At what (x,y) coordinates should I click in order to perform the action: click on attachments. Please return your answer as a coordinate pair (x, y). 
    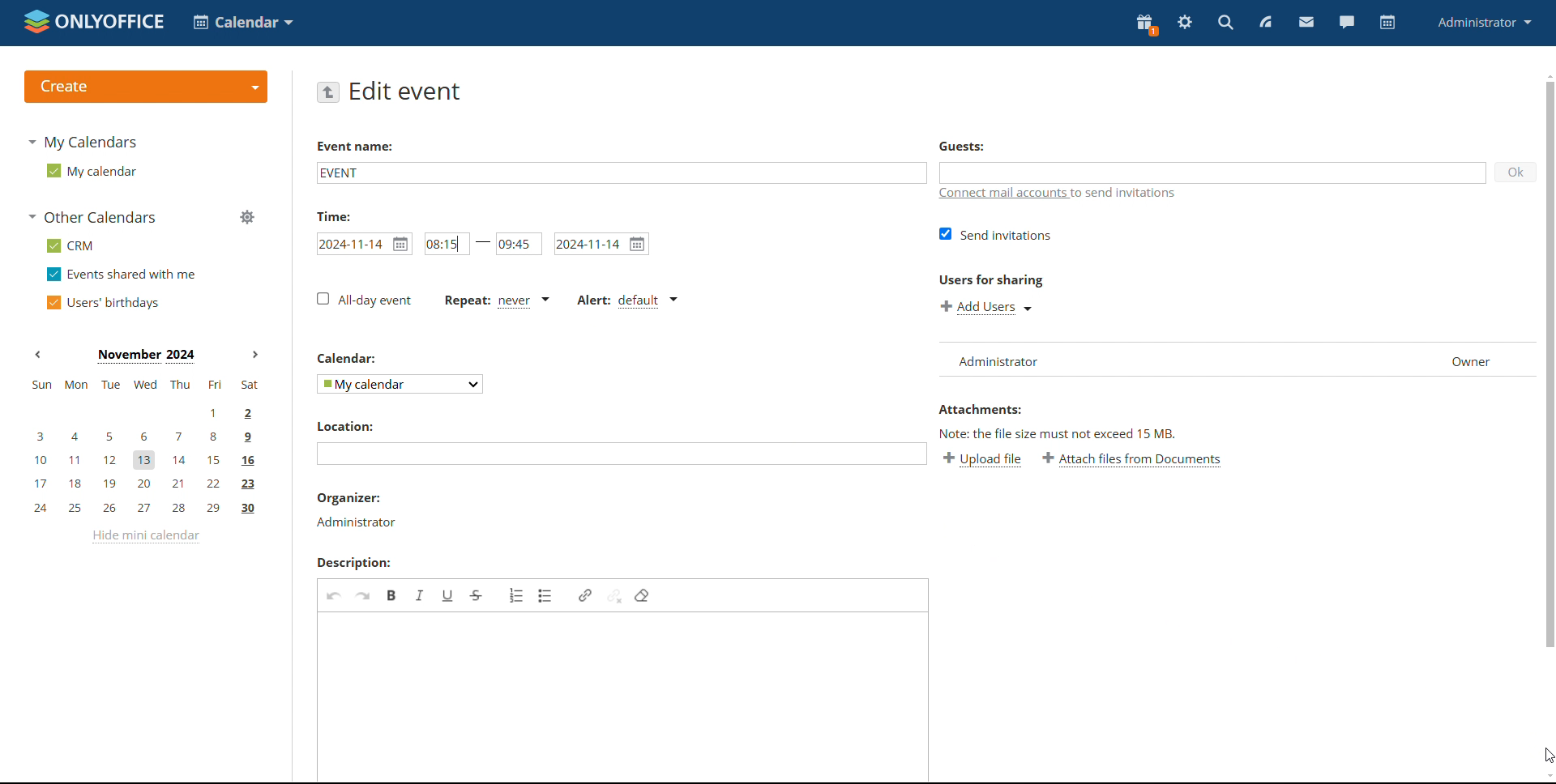
    Looking at the image, I should click on (981, 409).